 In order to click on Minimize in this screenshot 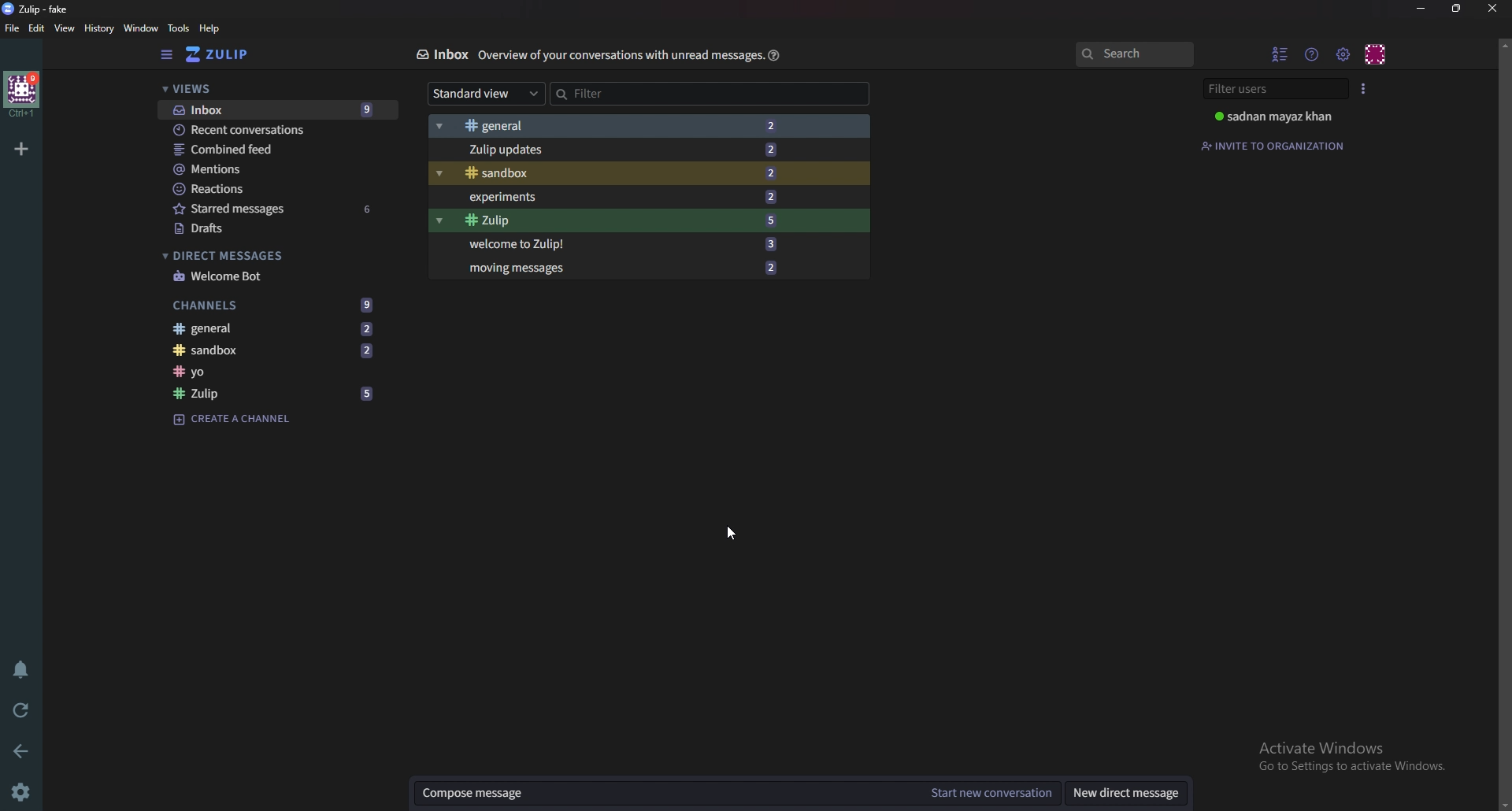, I will do `click(1421, 9)`.